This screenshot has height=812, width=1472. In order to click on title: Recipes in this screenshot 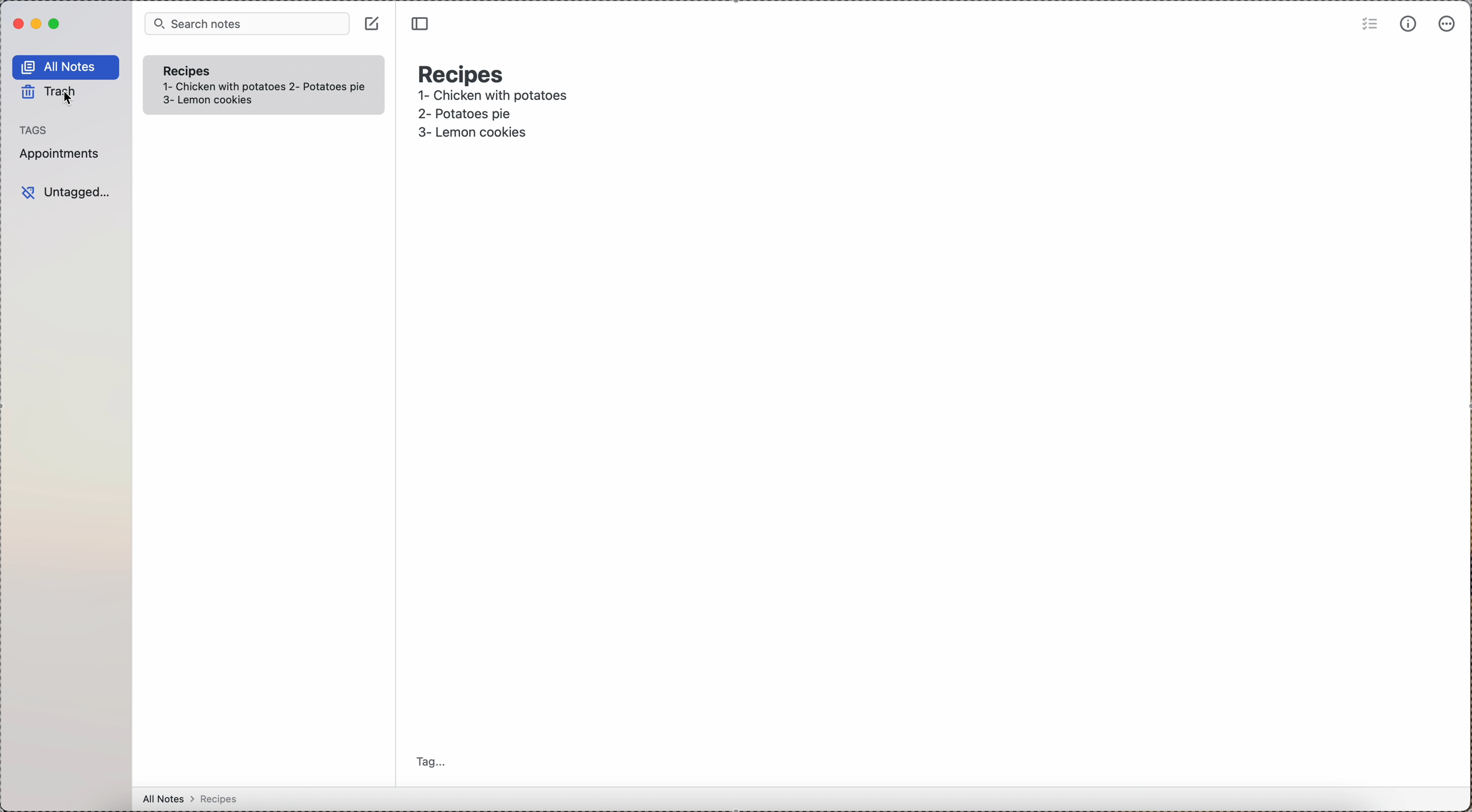, I will do `click(463, 71)`.